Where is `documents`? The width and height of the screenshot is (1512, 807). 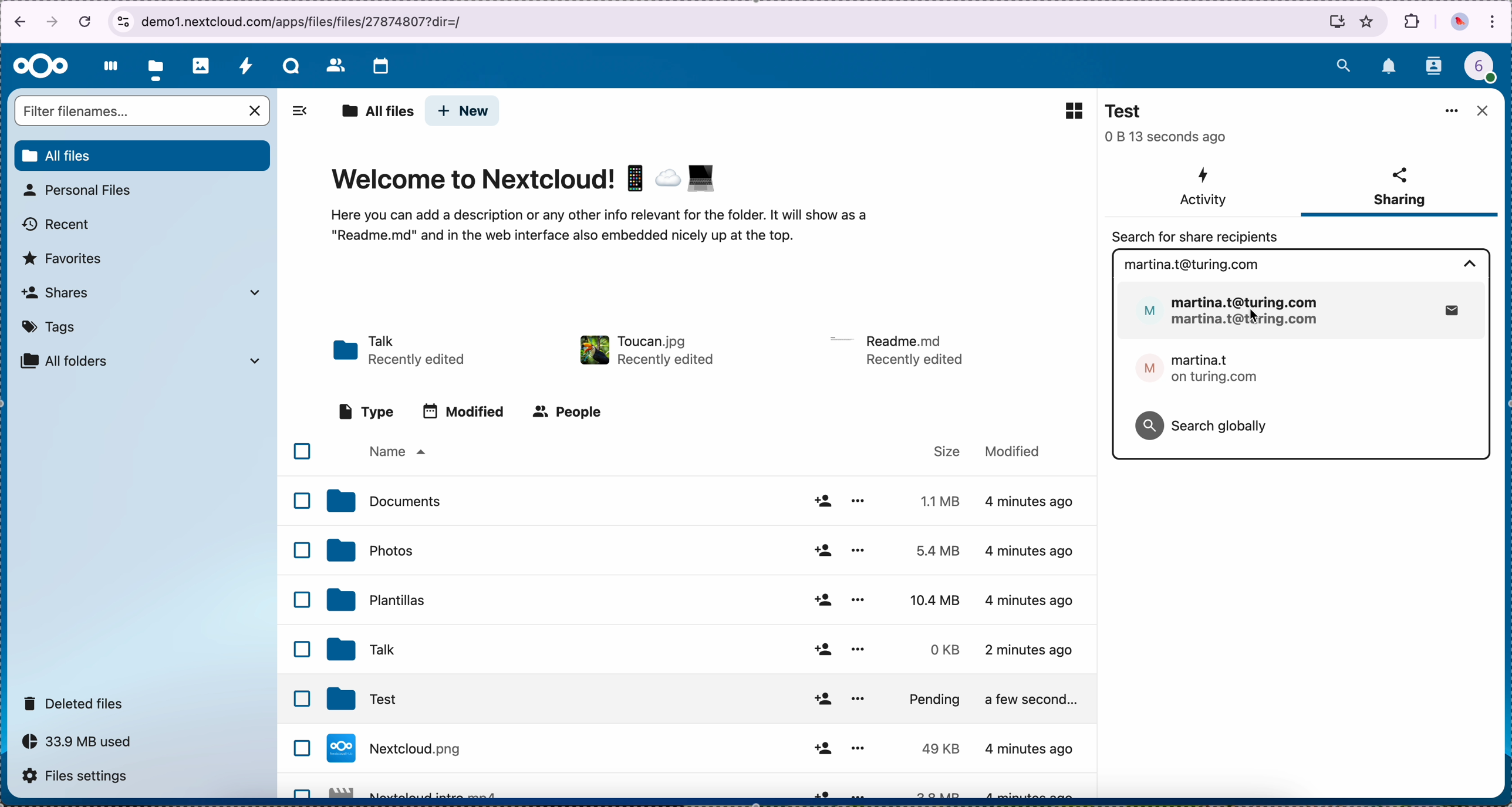 documents is located at coordinates (707, 503).